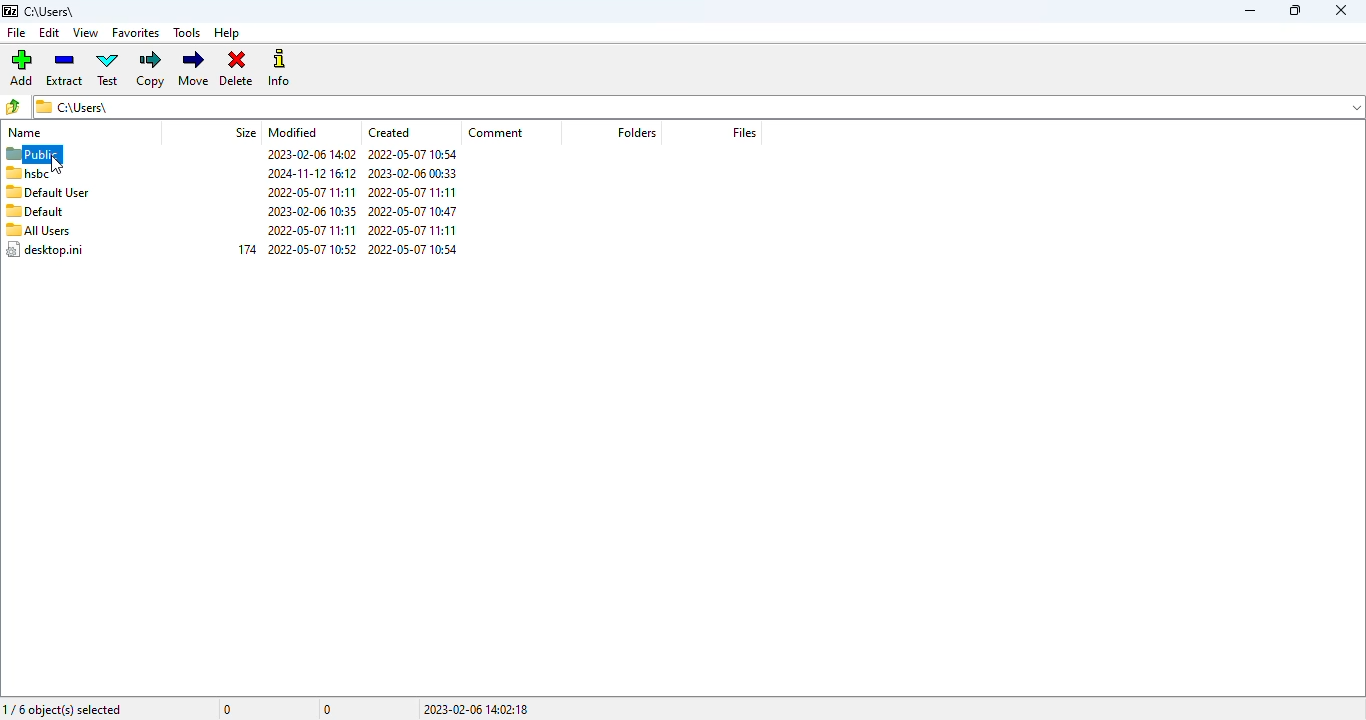 The width and height of the screenshot is (1366, 720). Describe the element at coordinates (64, 67) in the screenshot. I see `extract` at that location.